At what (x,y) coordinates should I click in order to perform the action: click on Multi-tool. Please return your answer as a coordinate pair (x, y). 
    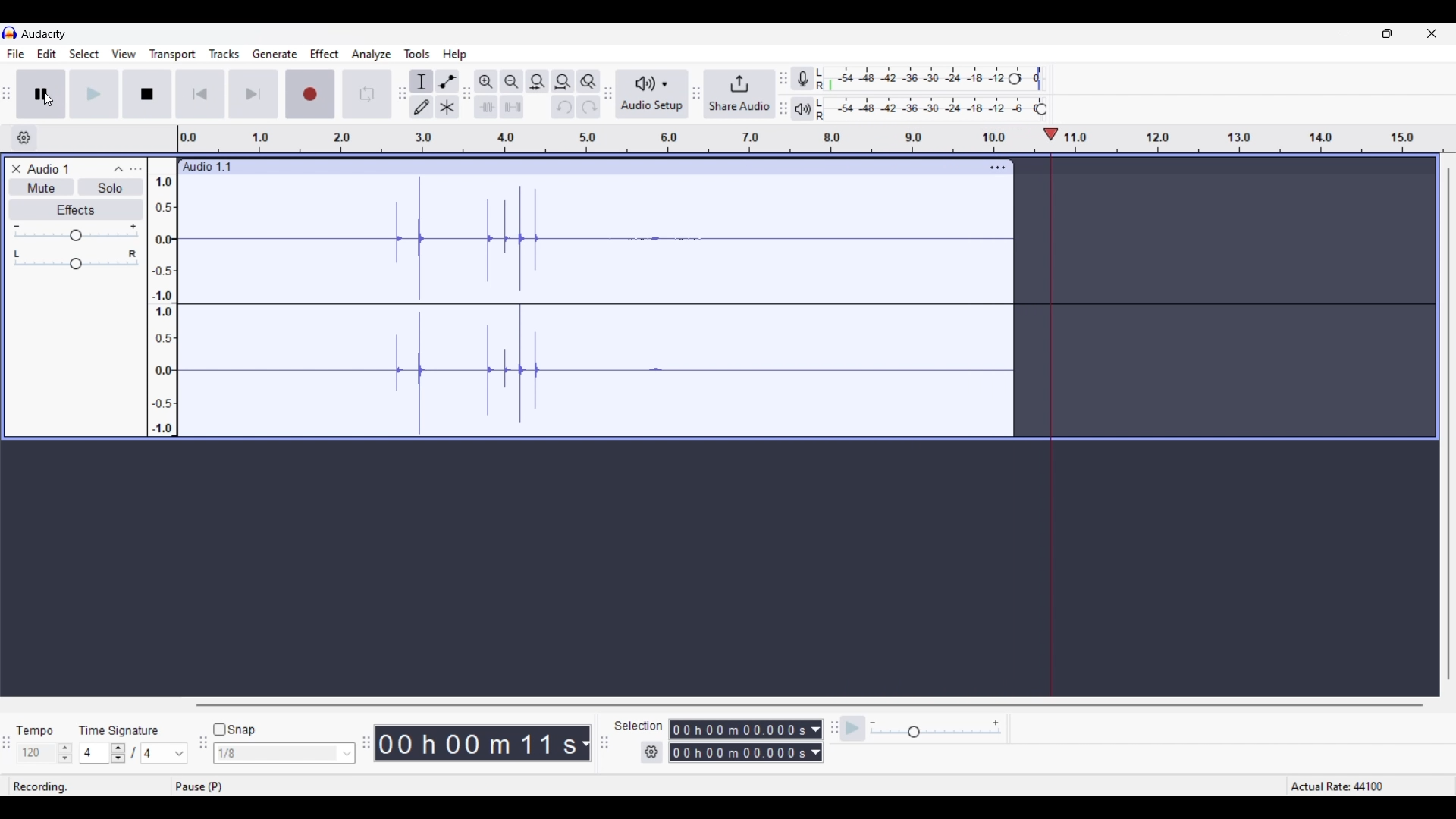
    Looking at the image, I should click on (447, 107).